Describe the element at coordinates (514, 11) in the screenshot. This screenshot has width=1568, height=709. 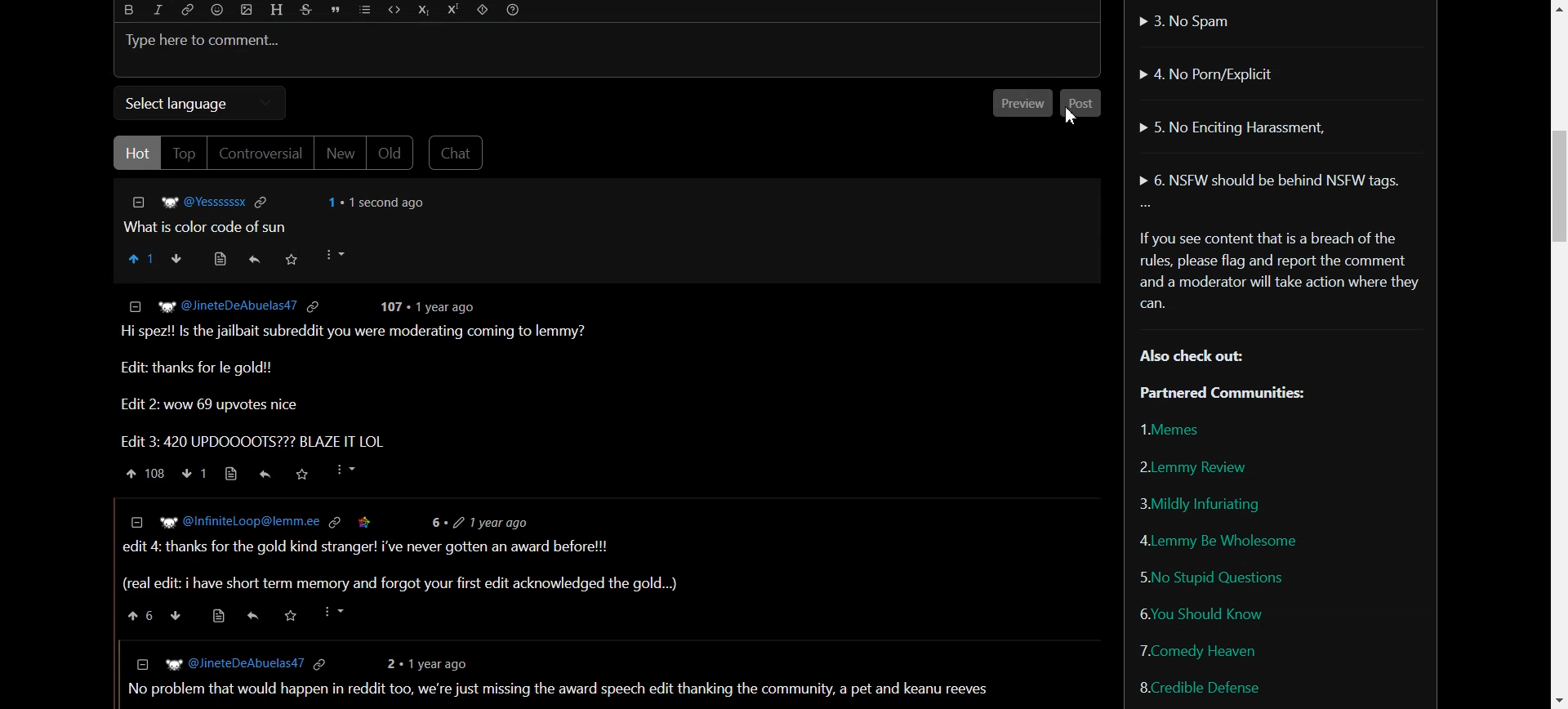
I see `Formatting Help` at that location.